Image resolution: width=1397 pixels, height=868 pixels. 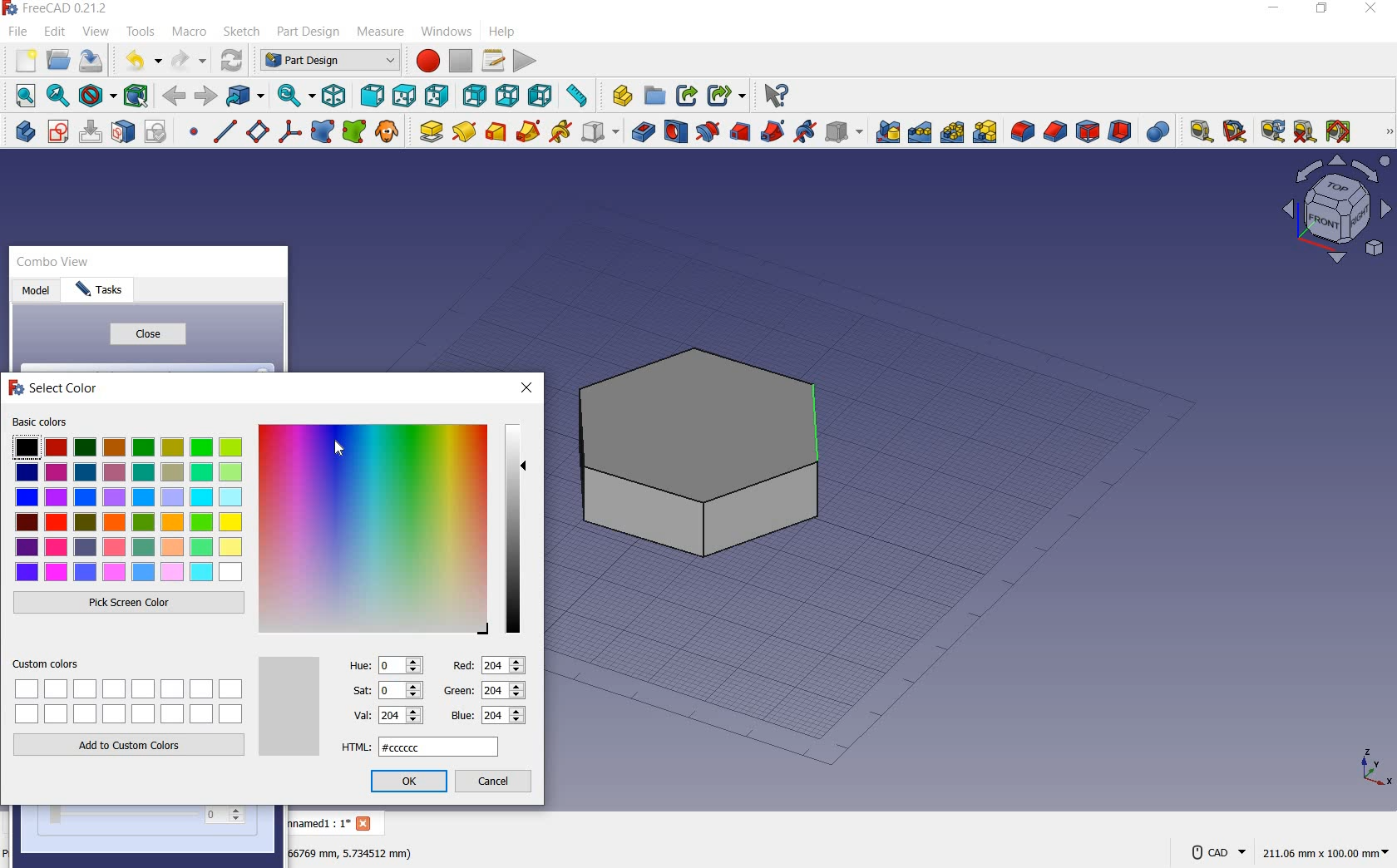 I want to click on customize color, so click(x=392, y=530).